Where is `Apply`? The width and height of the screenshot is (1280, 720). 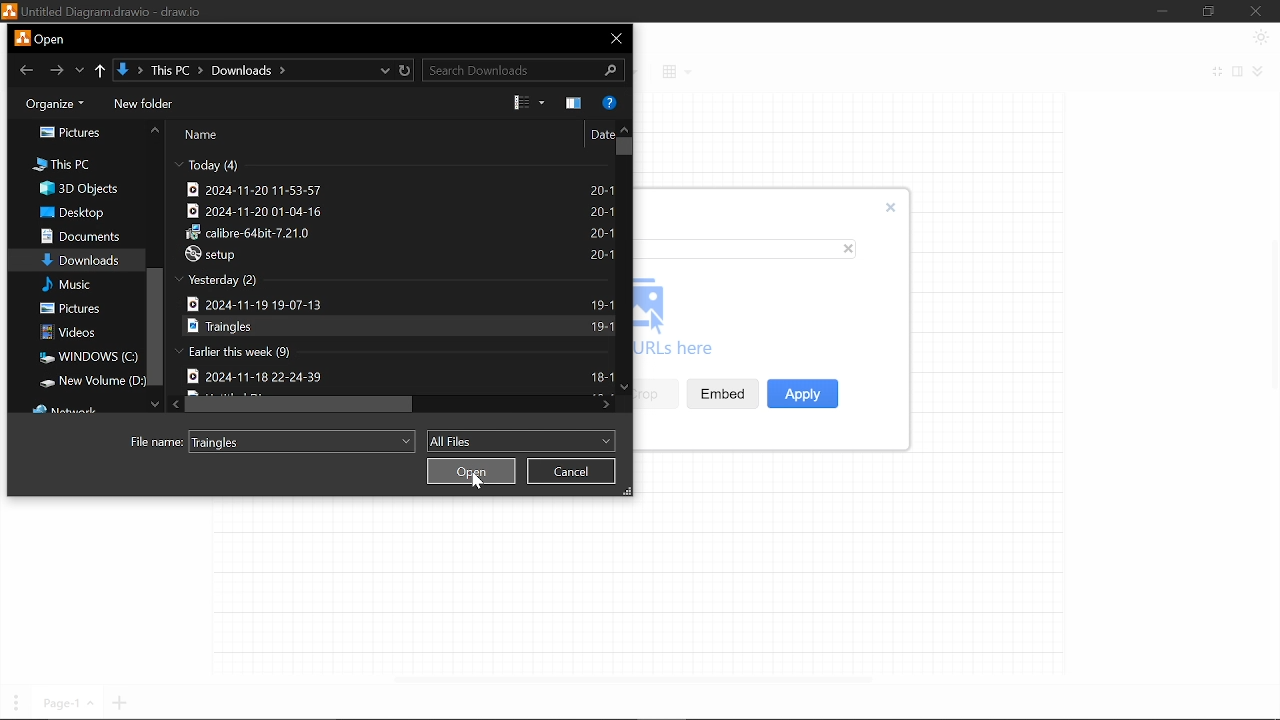
Apply is located at coordinates (802, 394).